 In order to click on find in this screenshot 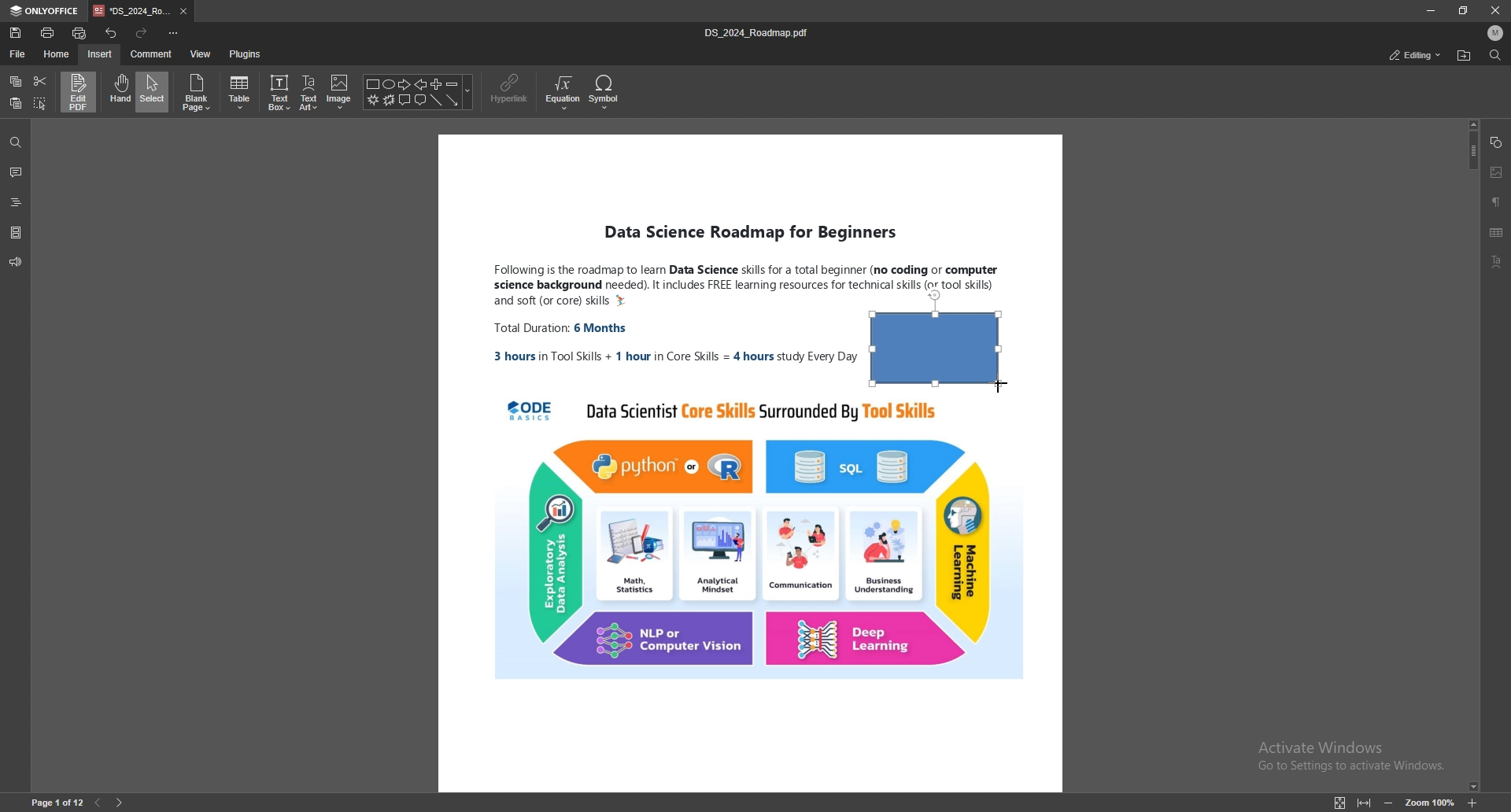, I will do `click(15, 142)`.